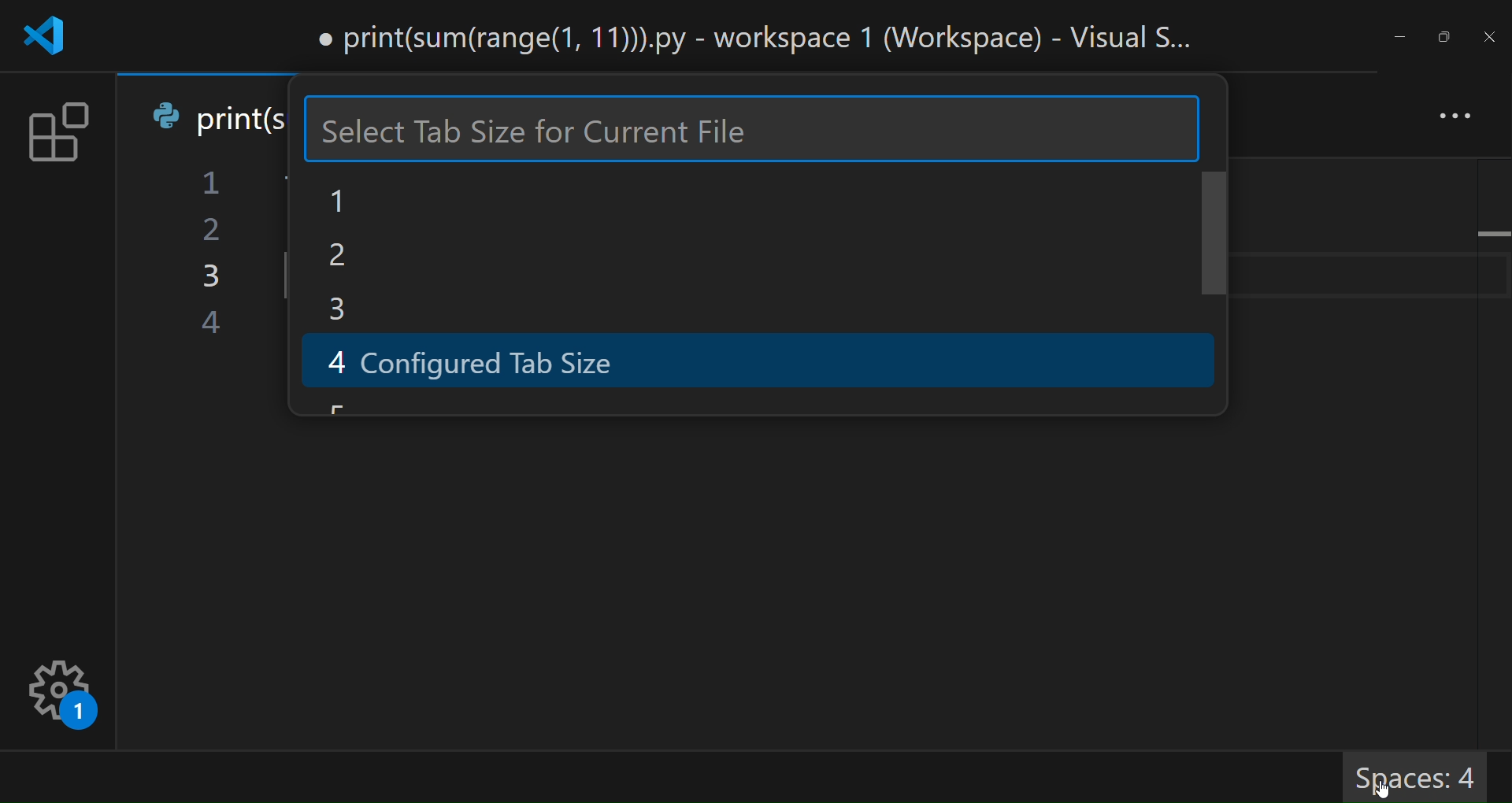  Describe the element at coordinates (1214, 238) in the screenshot. I see `scroll bar` at that location.